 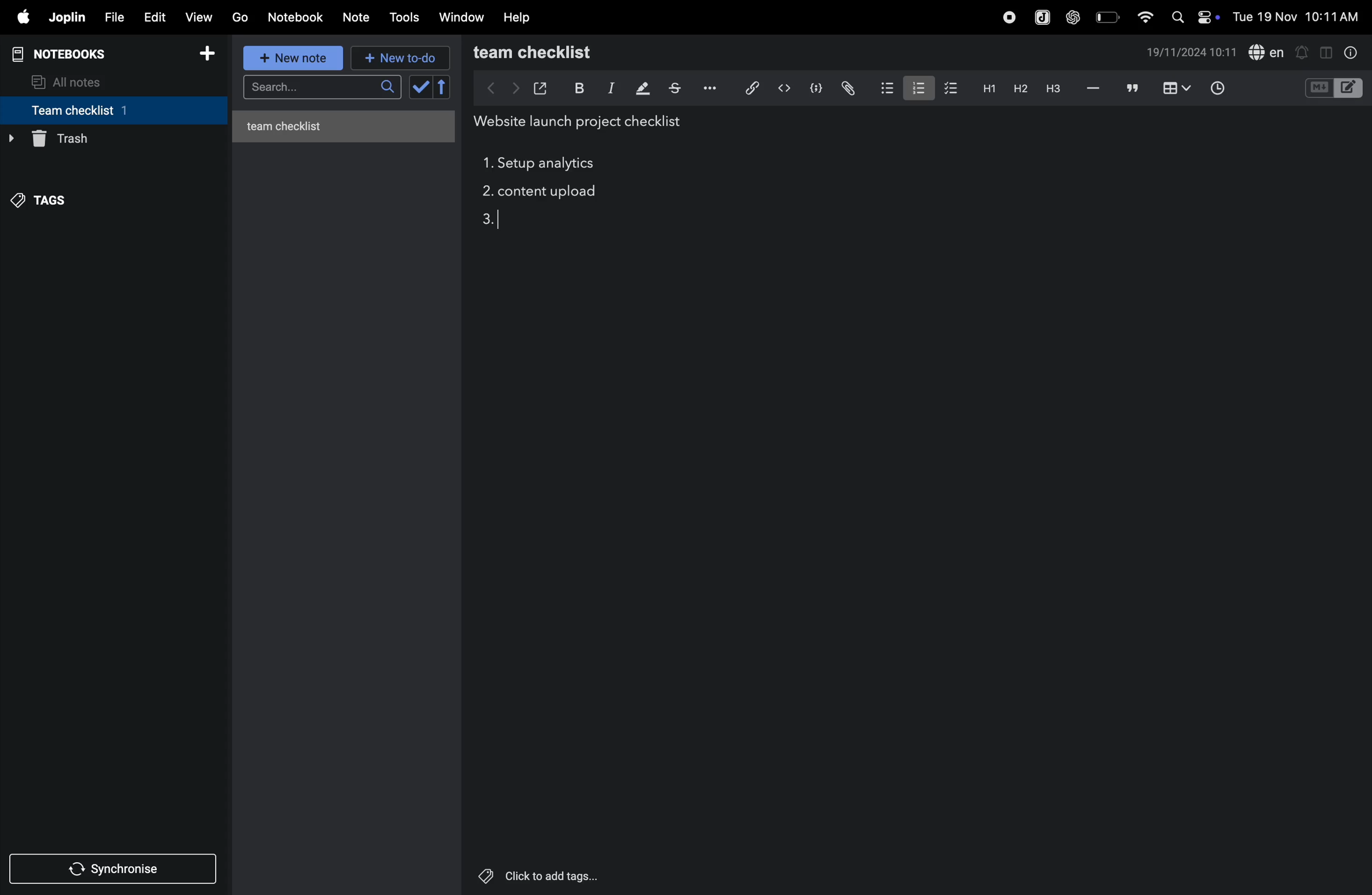 I want to click on hifen, so click(x=1092, y=88).